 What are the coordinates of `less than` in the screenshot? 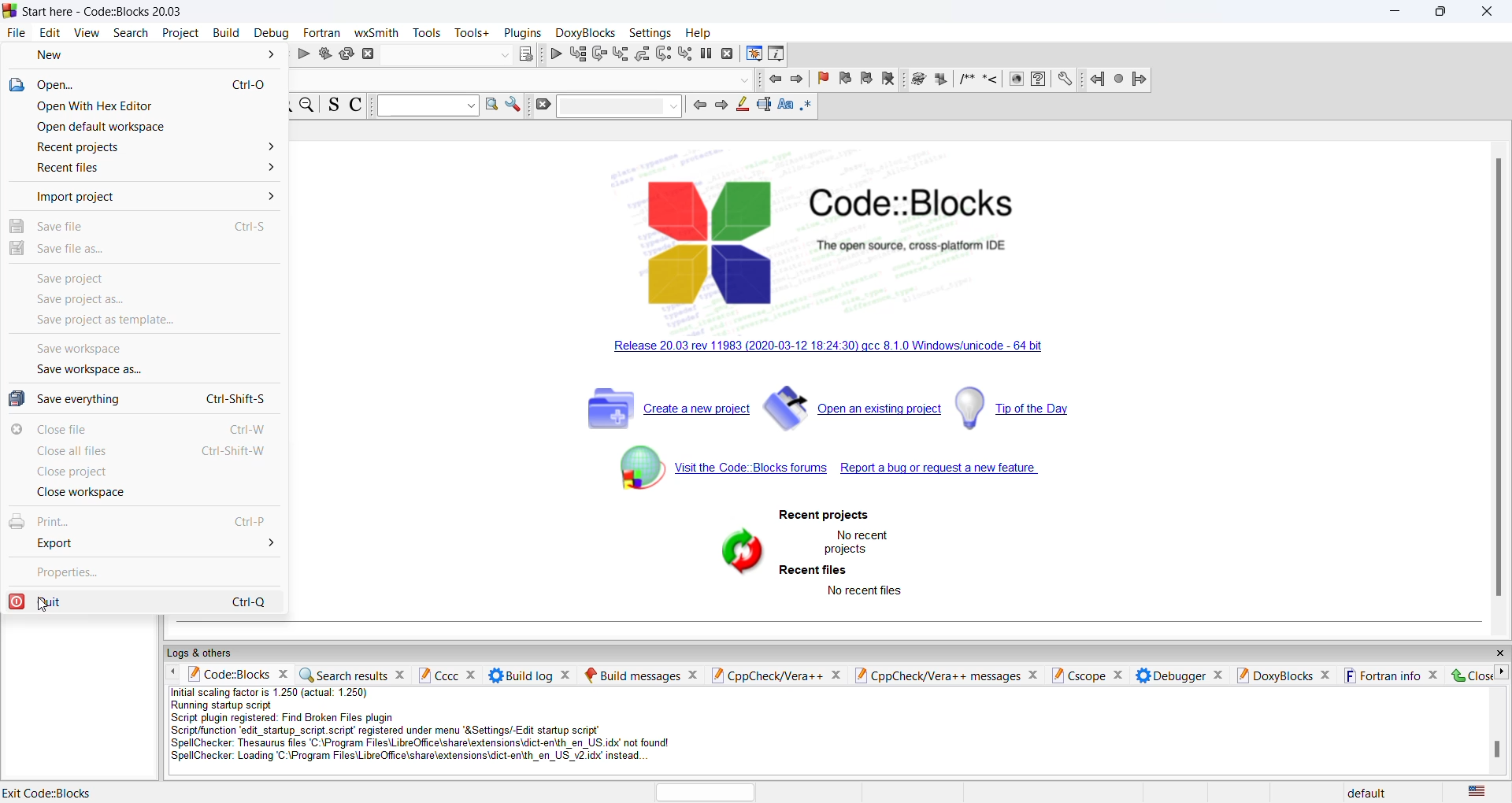 It's located at (991, 80).